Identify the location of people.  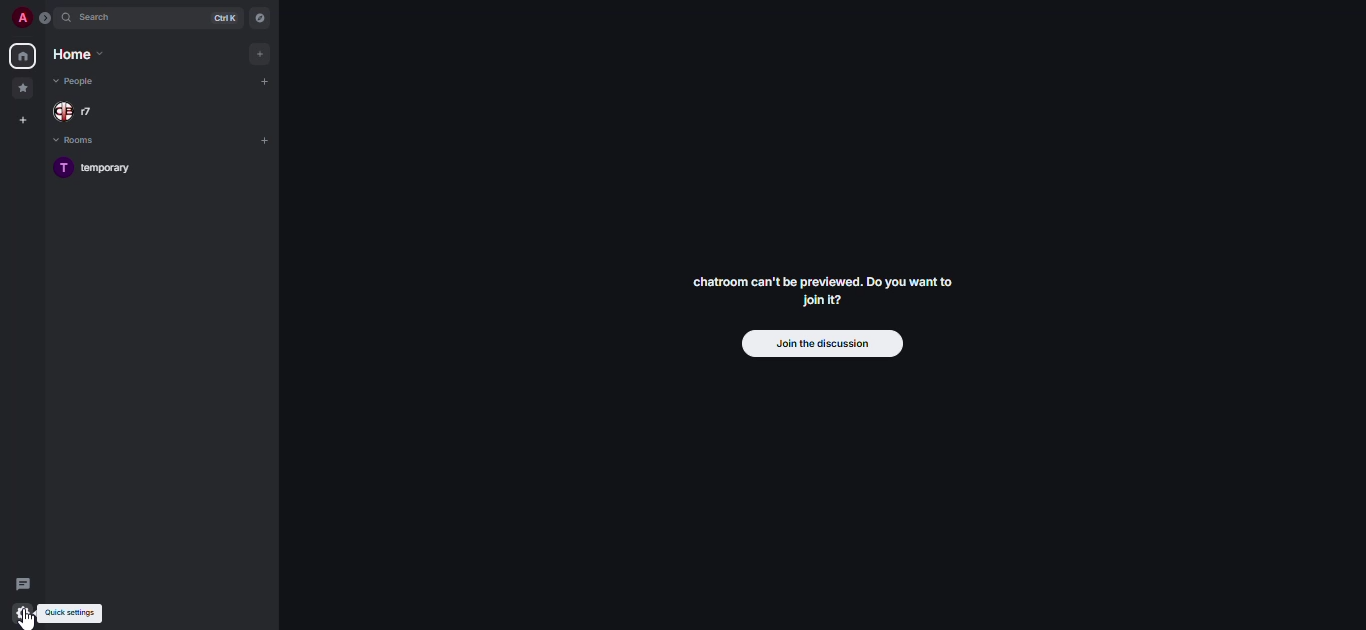
(82, 111).